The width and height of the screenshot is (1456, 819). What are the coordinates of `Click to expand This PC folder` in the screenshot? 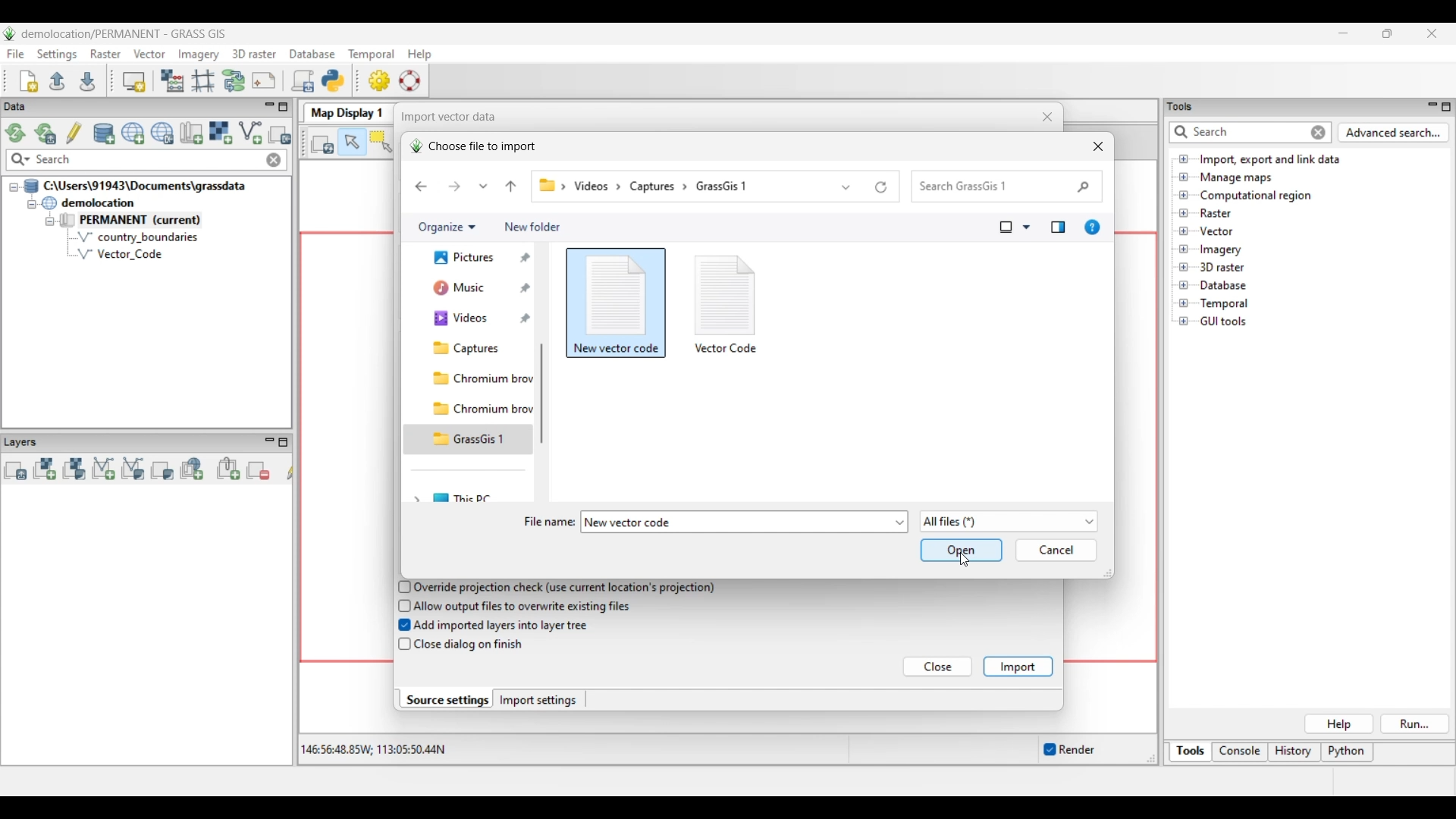 It's located at (416, 497).